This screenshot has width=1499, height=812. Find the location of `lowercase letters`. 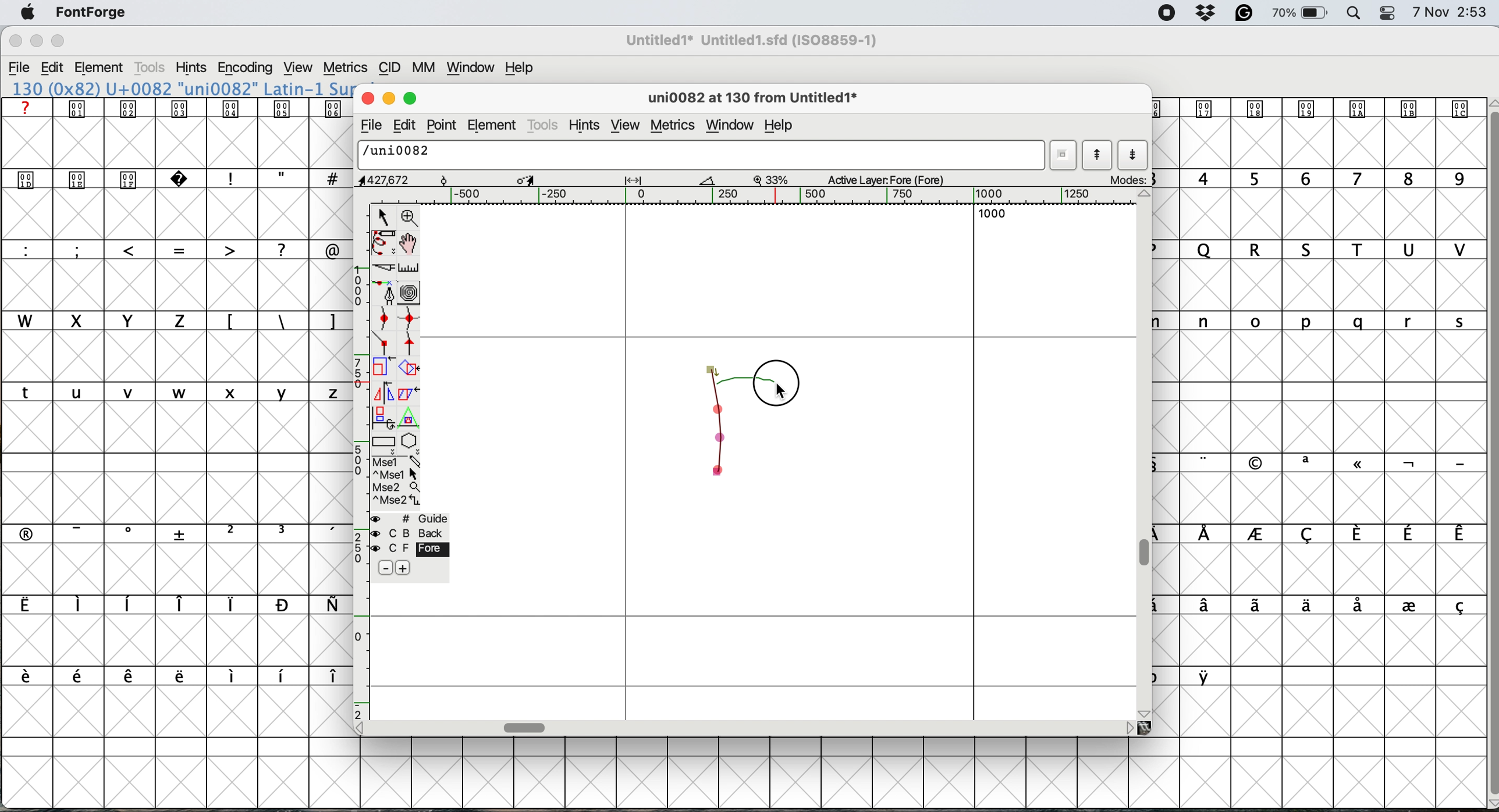

lowercase letters is located at coordinates (1311, 320).